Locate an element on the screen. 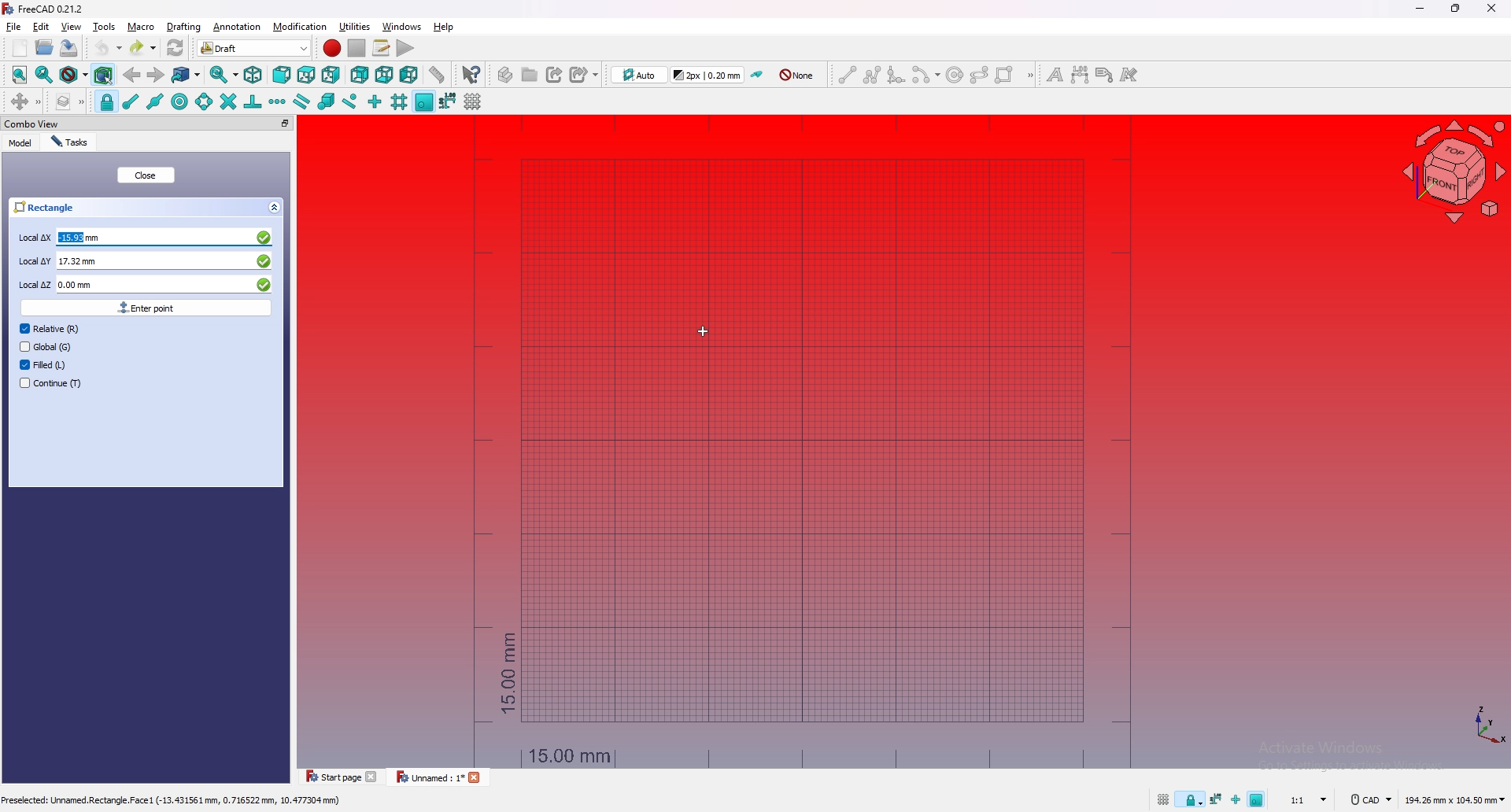 This screenshot has height=812, width=1511. polyline is located at coordinates (872, 75).